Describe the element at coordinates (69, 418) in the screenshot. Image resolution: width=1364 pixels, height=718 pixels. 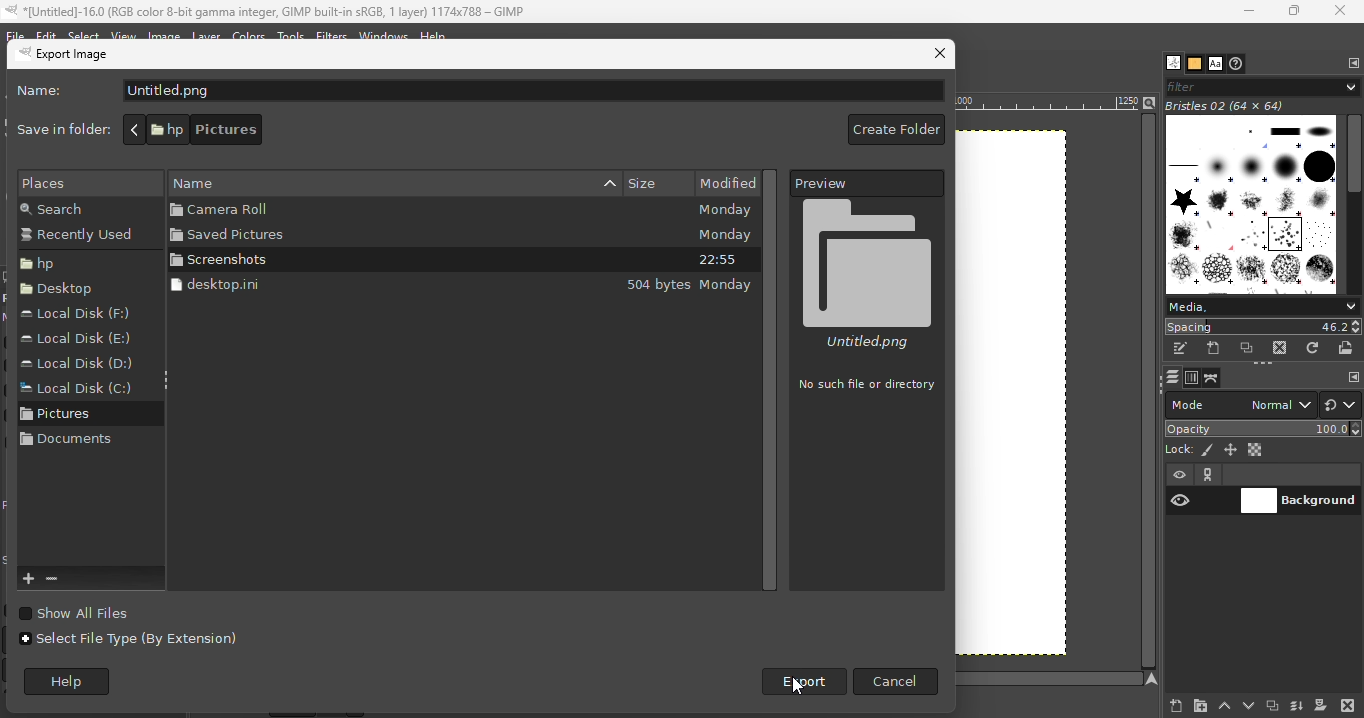
I see `Pictures` at that location.